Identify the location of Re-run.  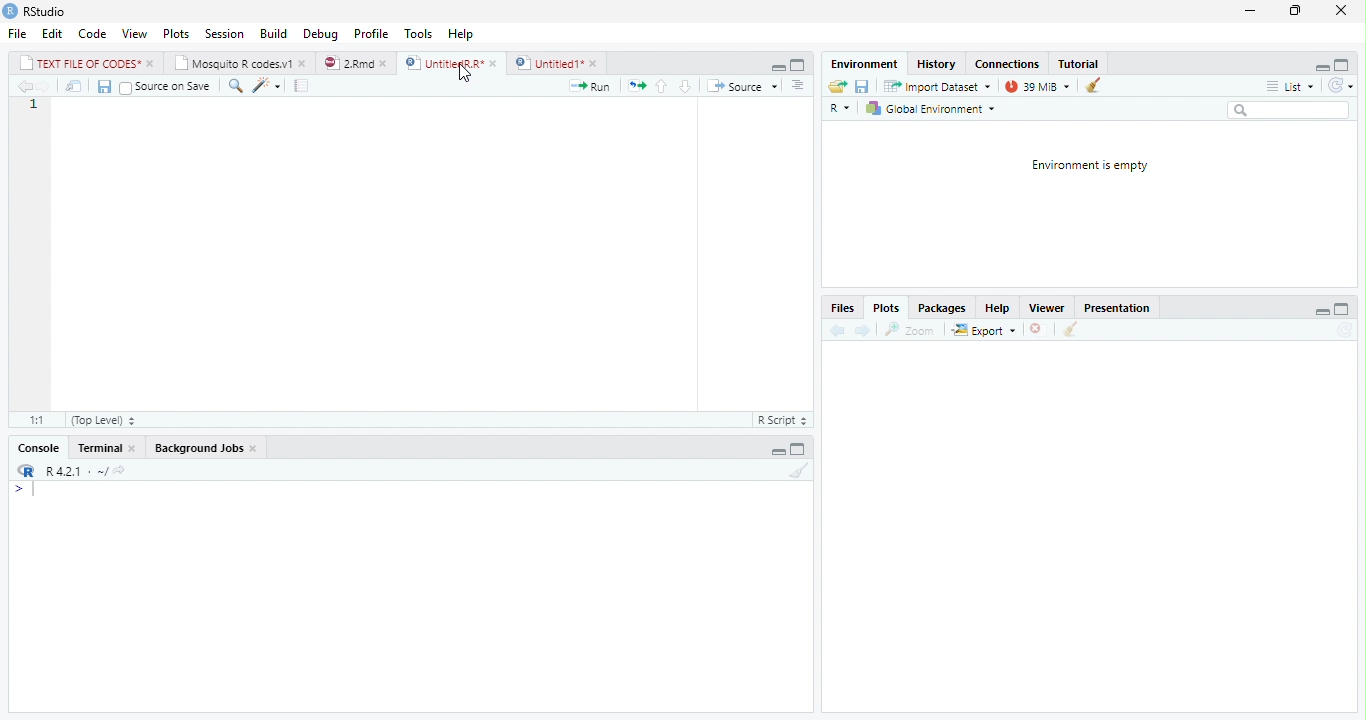
(633, 84).